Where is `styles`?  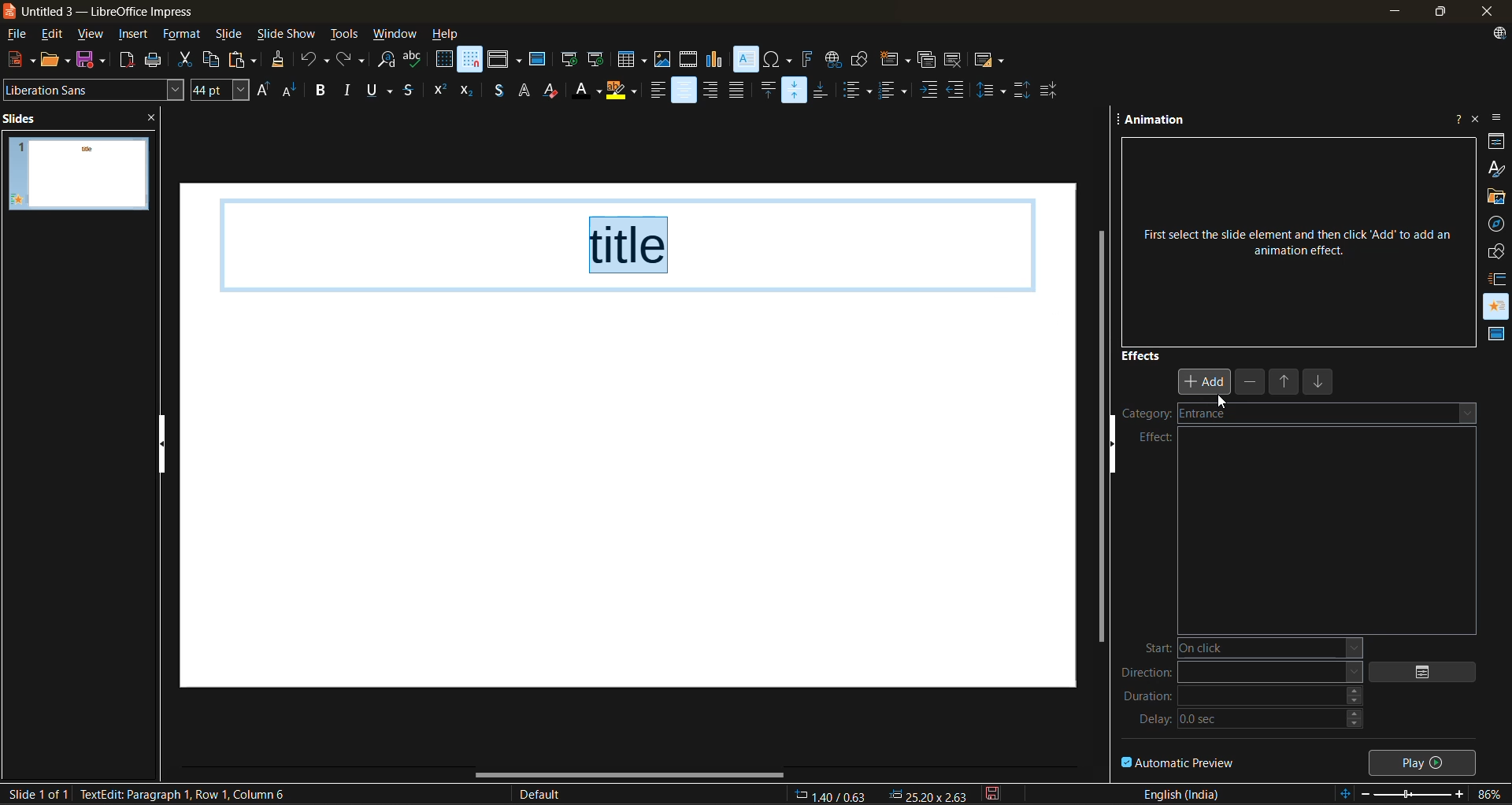 styles is located at coordinates (1497, 167).